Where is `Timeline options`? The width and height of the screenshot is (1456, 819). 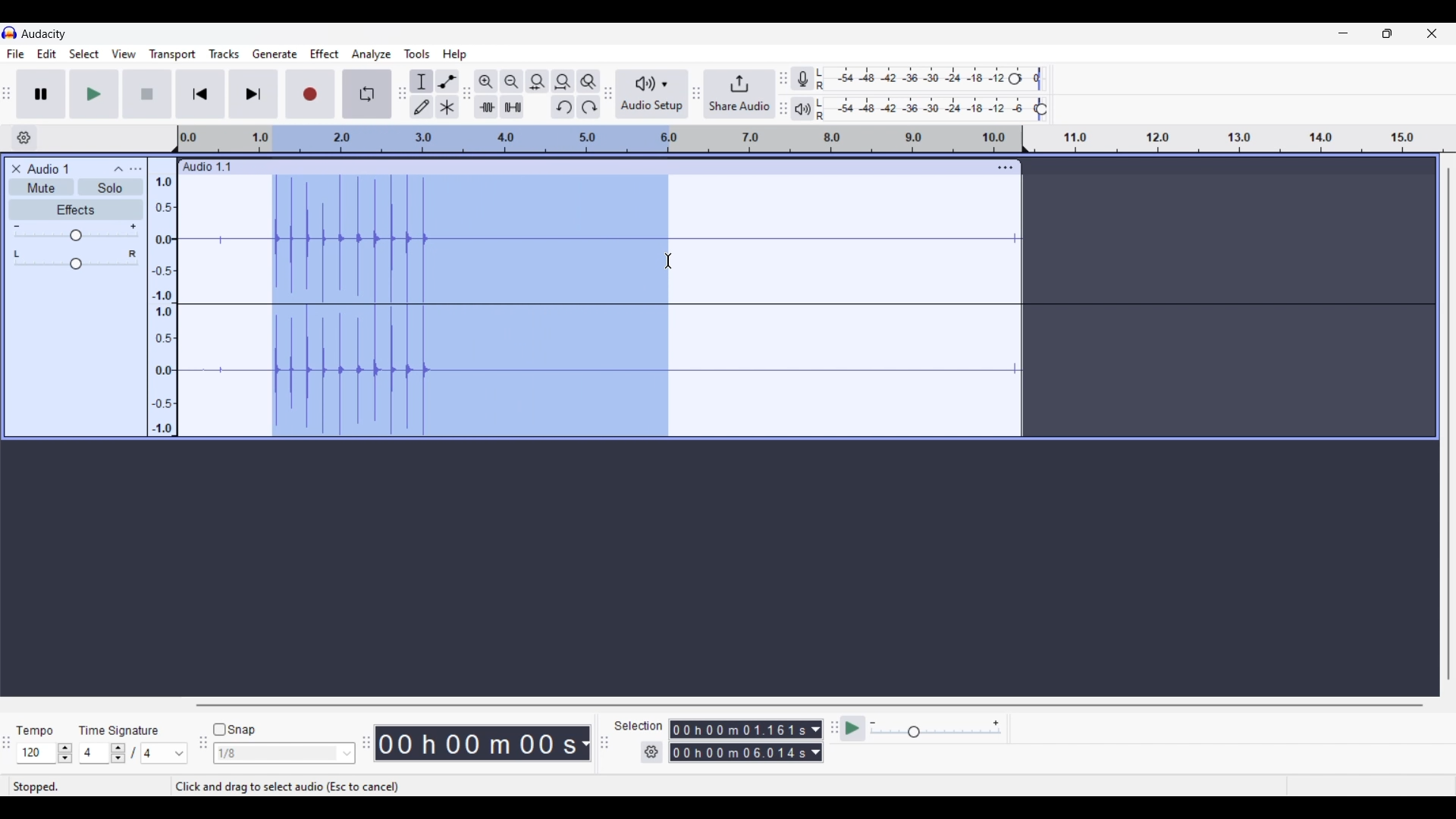
Timeline options is located at coordinates (24, 138).